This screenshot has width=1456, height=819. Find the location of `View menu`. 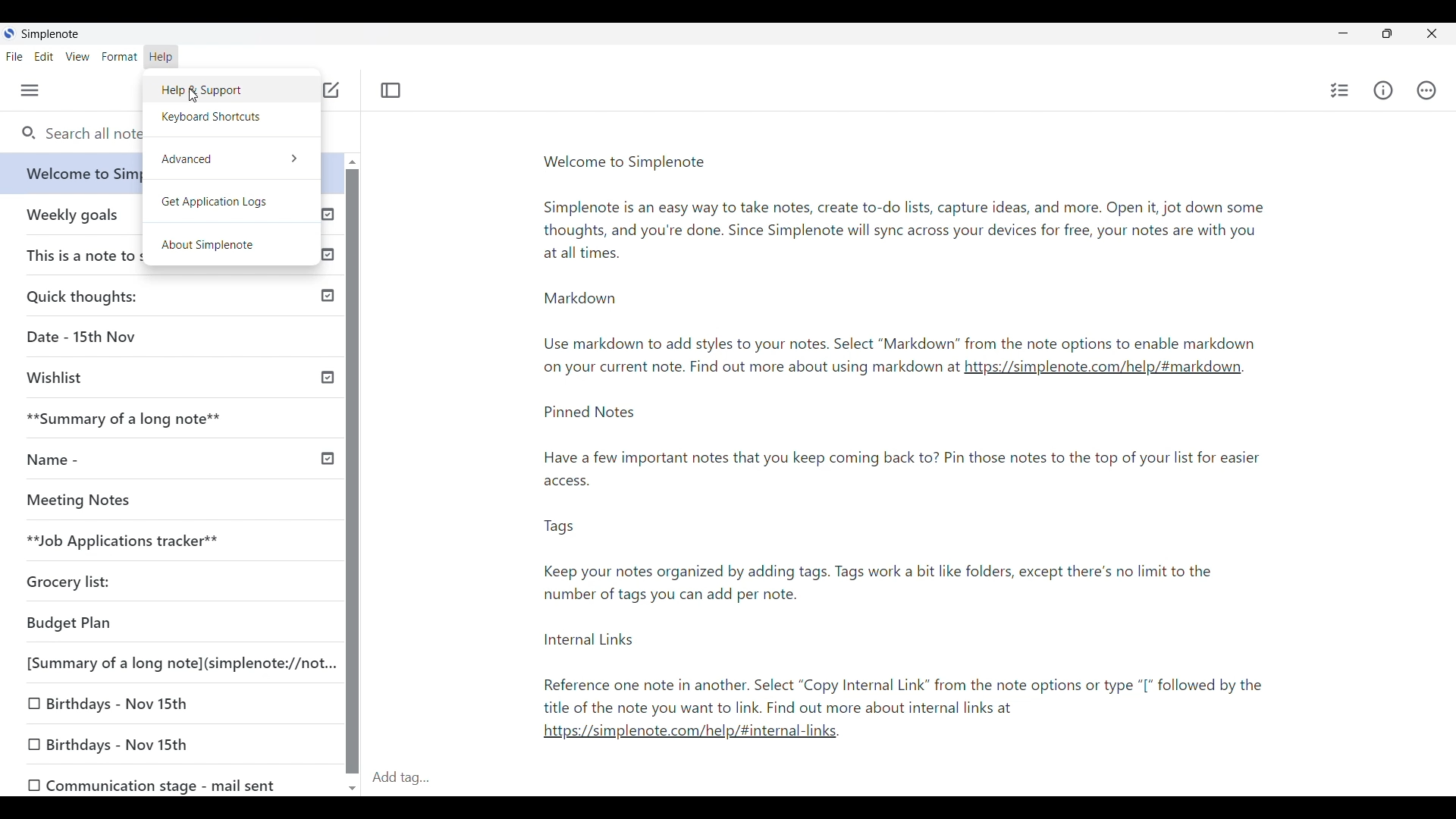

View menu is located at coordinates (77, 57).